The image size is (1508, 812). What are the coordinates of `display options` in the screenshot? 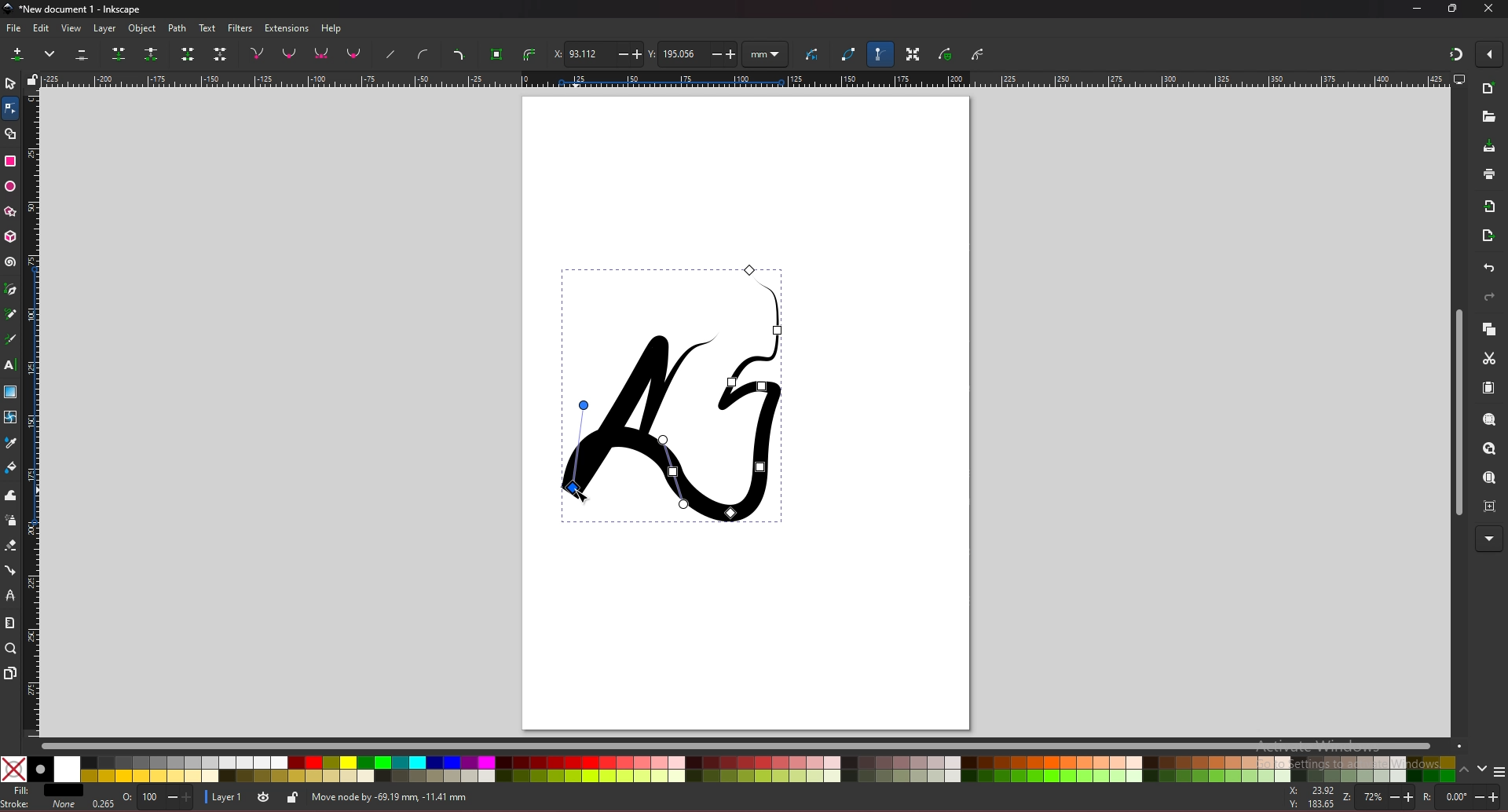 It's located at (1458, 79).